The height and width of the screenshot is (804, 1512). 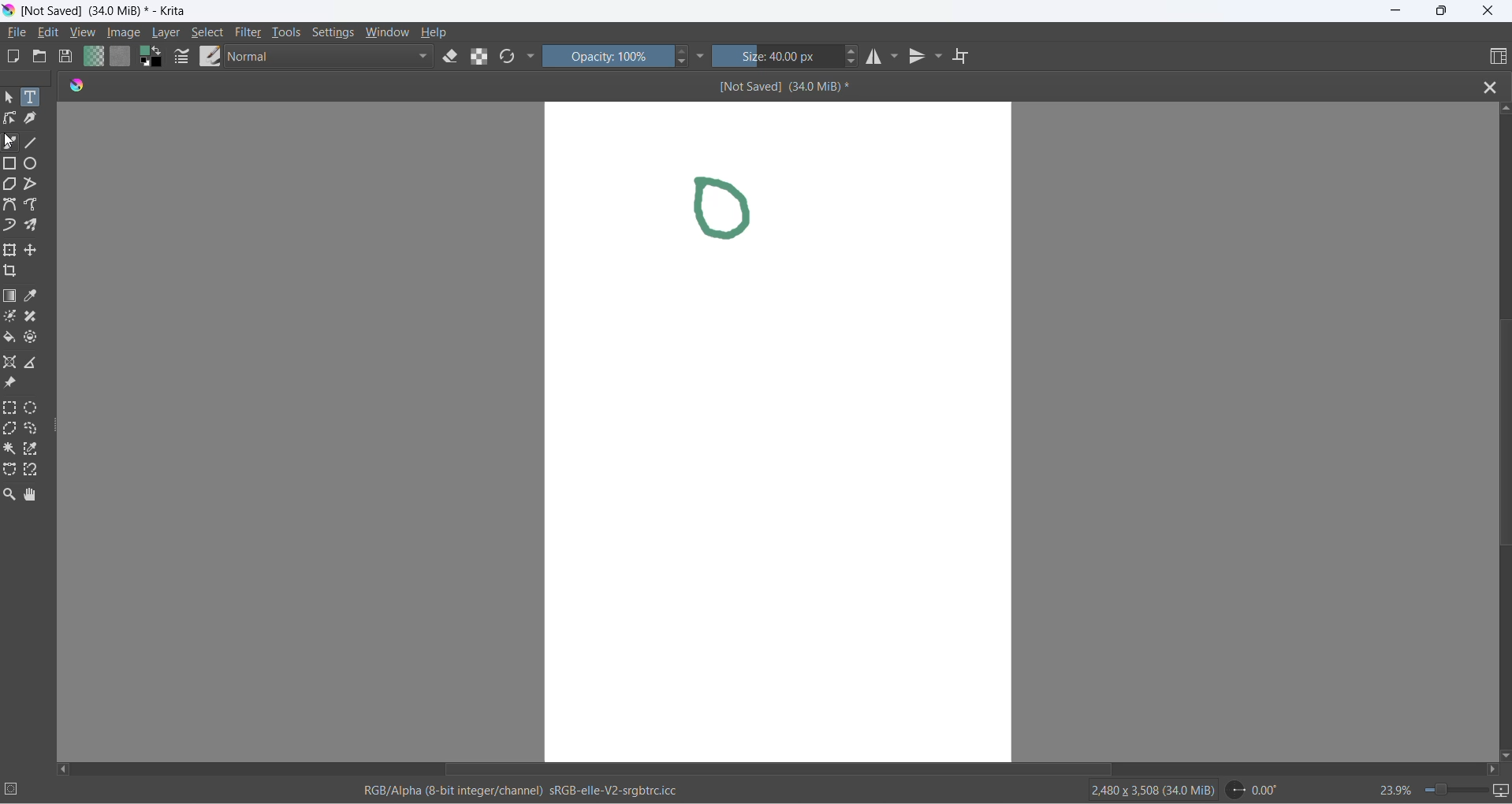 What do you see at coordinates (1456, 791) in the screenshot?
I see `zoom slider` at bounding box center [1456, 791].